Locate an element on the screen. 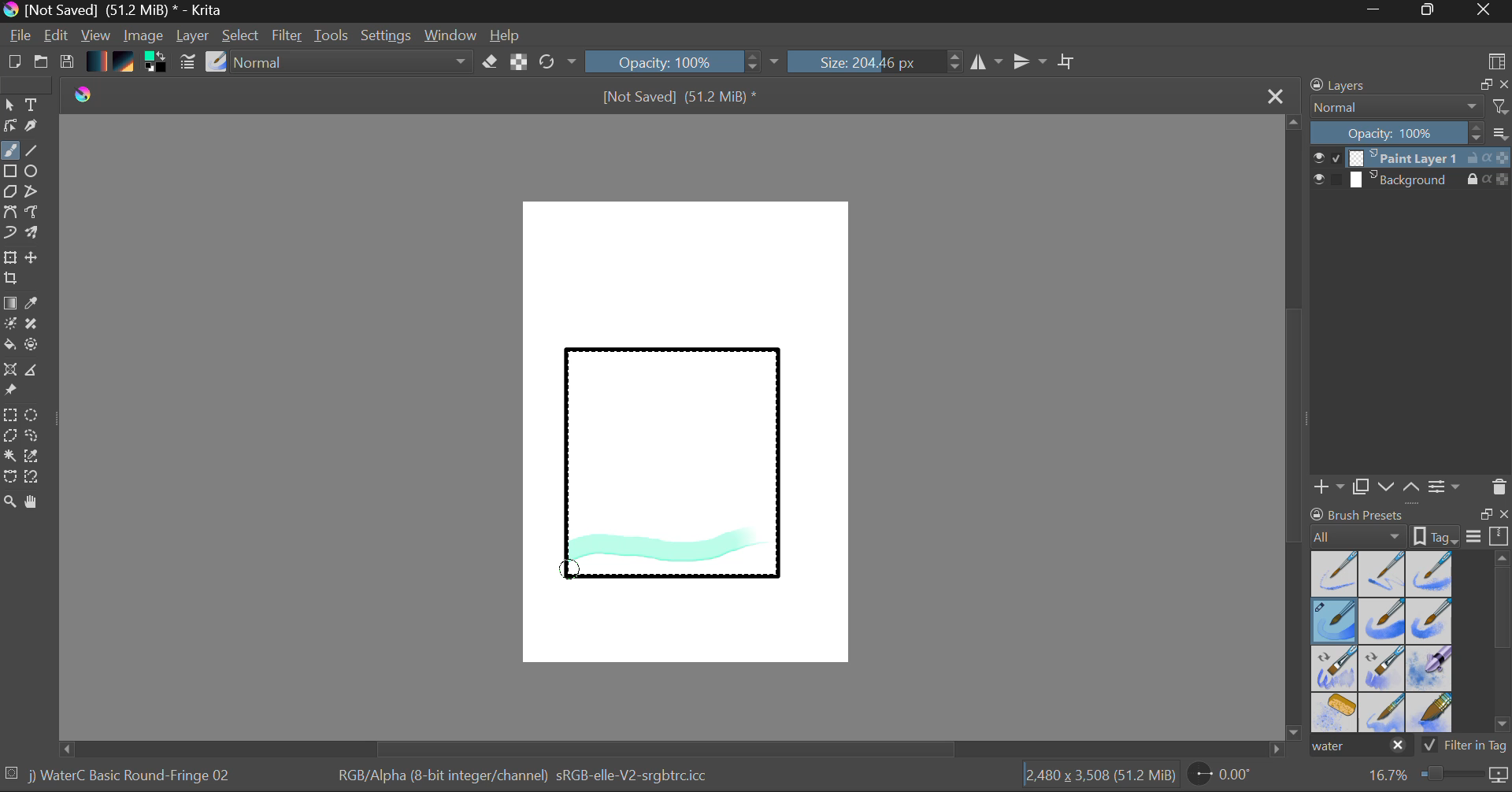 This screenshot has height=792, width=1512. Fill Gradient is located at coordinates (10, 302).